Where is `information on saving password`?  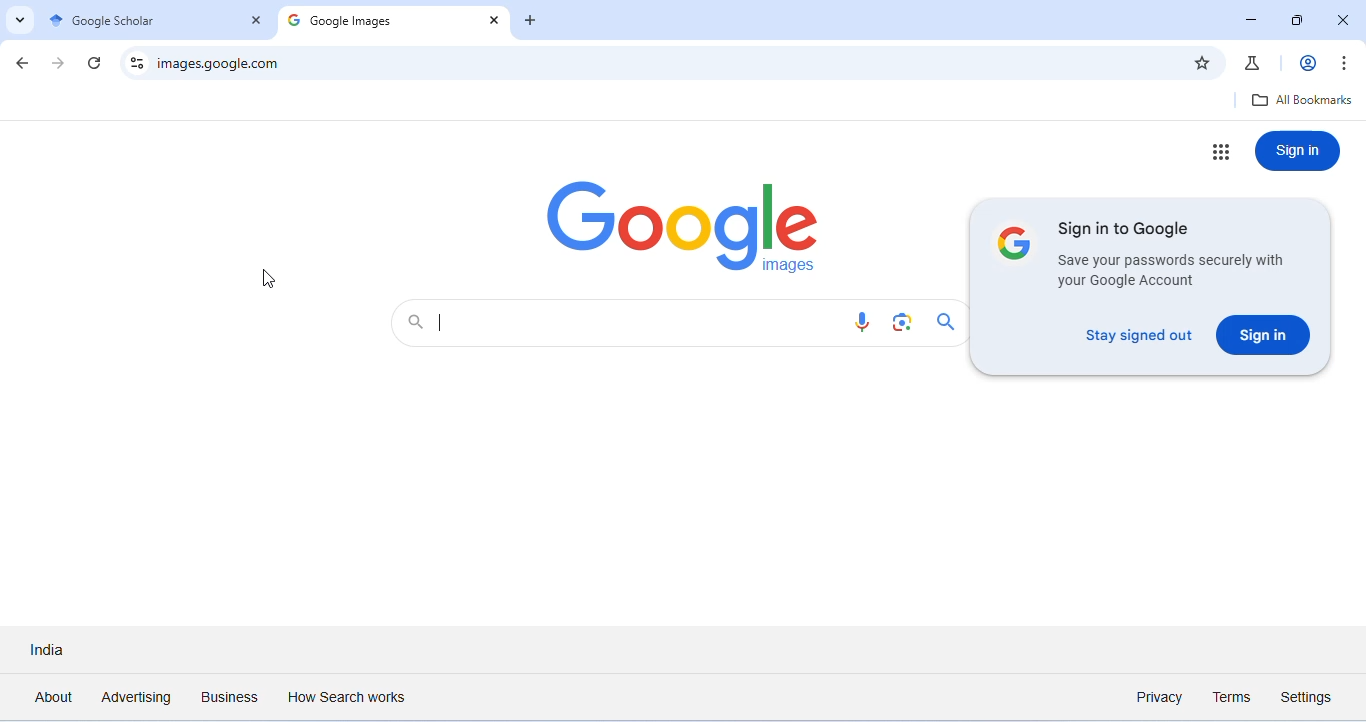
information on saving password is located at coordinates (1170, 270).